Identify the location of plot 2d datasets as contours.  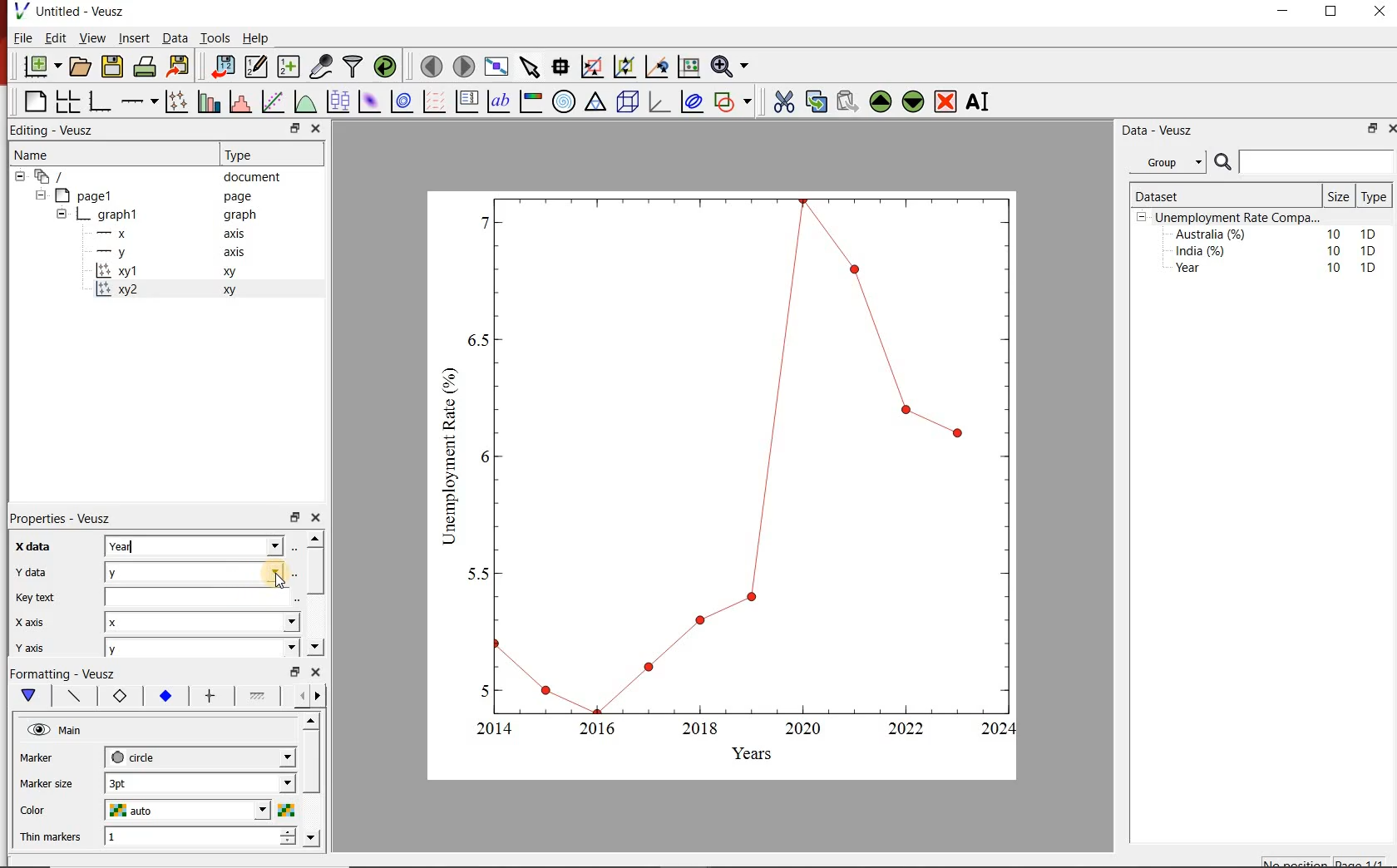
(401, 101).